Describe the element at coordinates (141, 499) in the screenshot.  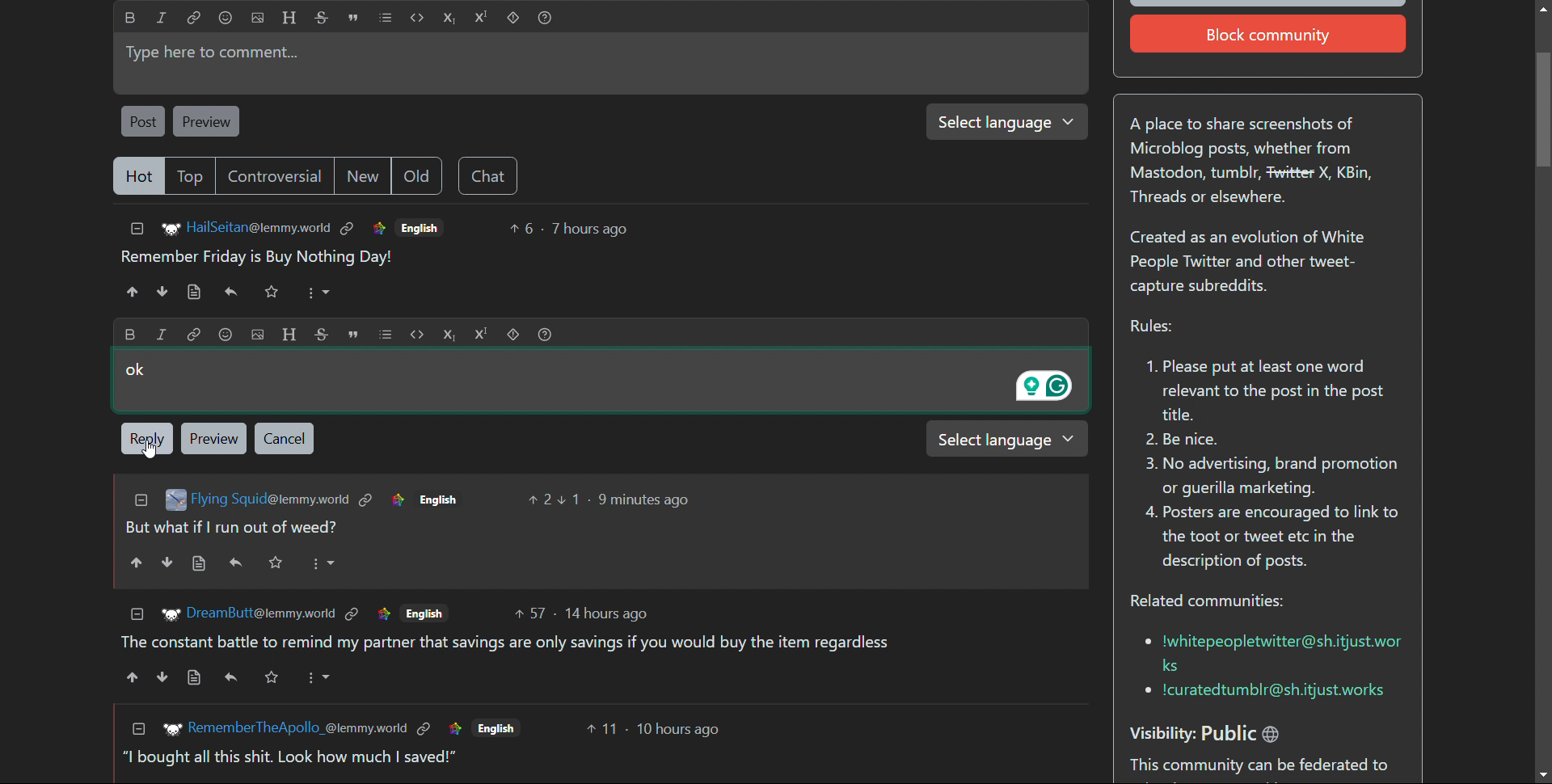
I see `collapse` at that location.